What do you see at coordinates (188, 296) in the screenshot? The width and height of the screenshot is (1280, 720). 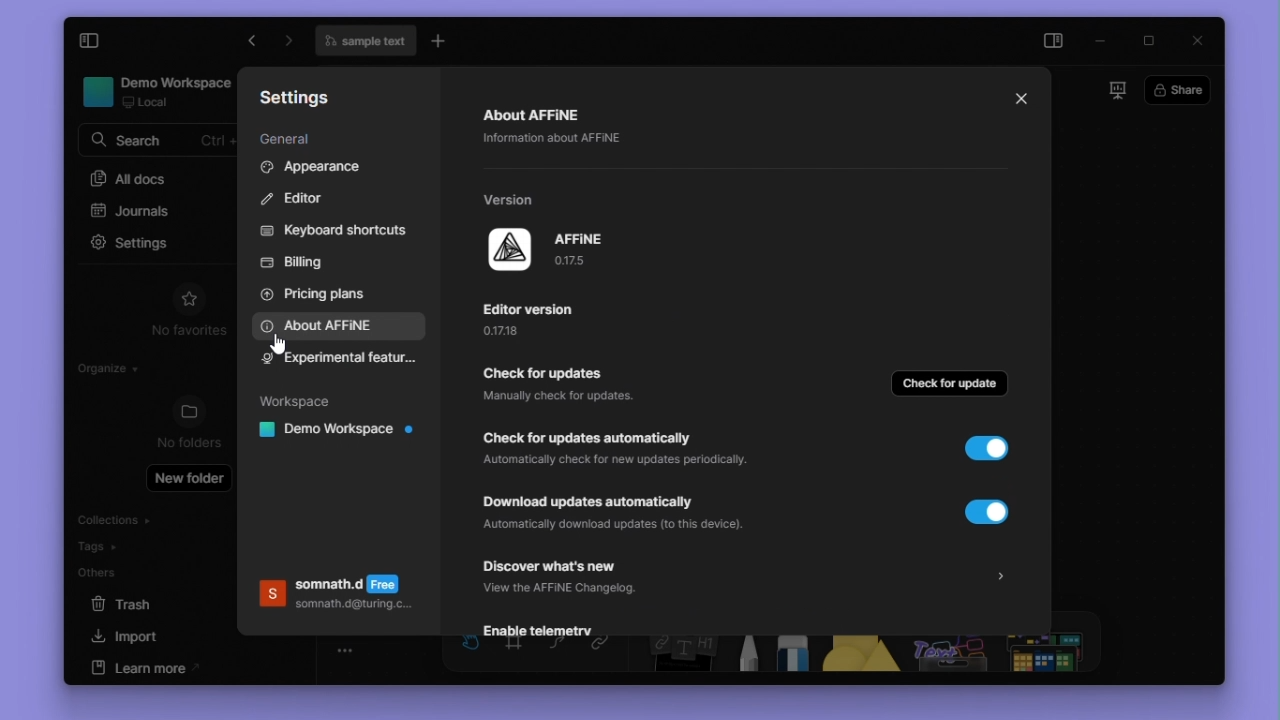 I see `favourites` at bounding box center [188, 296].